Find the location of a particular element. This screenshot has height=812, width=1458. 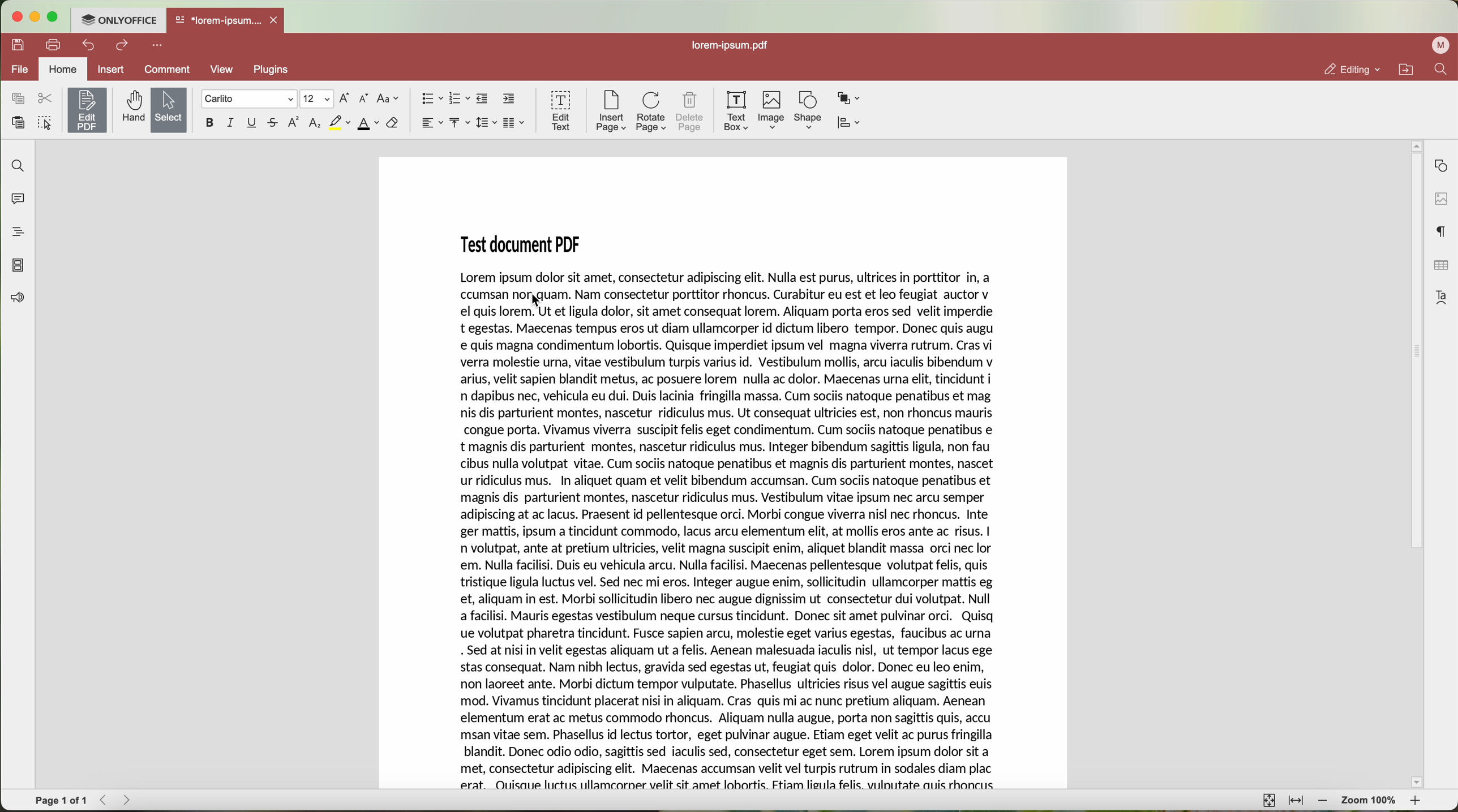

open file is located at coordinates (226, 22).